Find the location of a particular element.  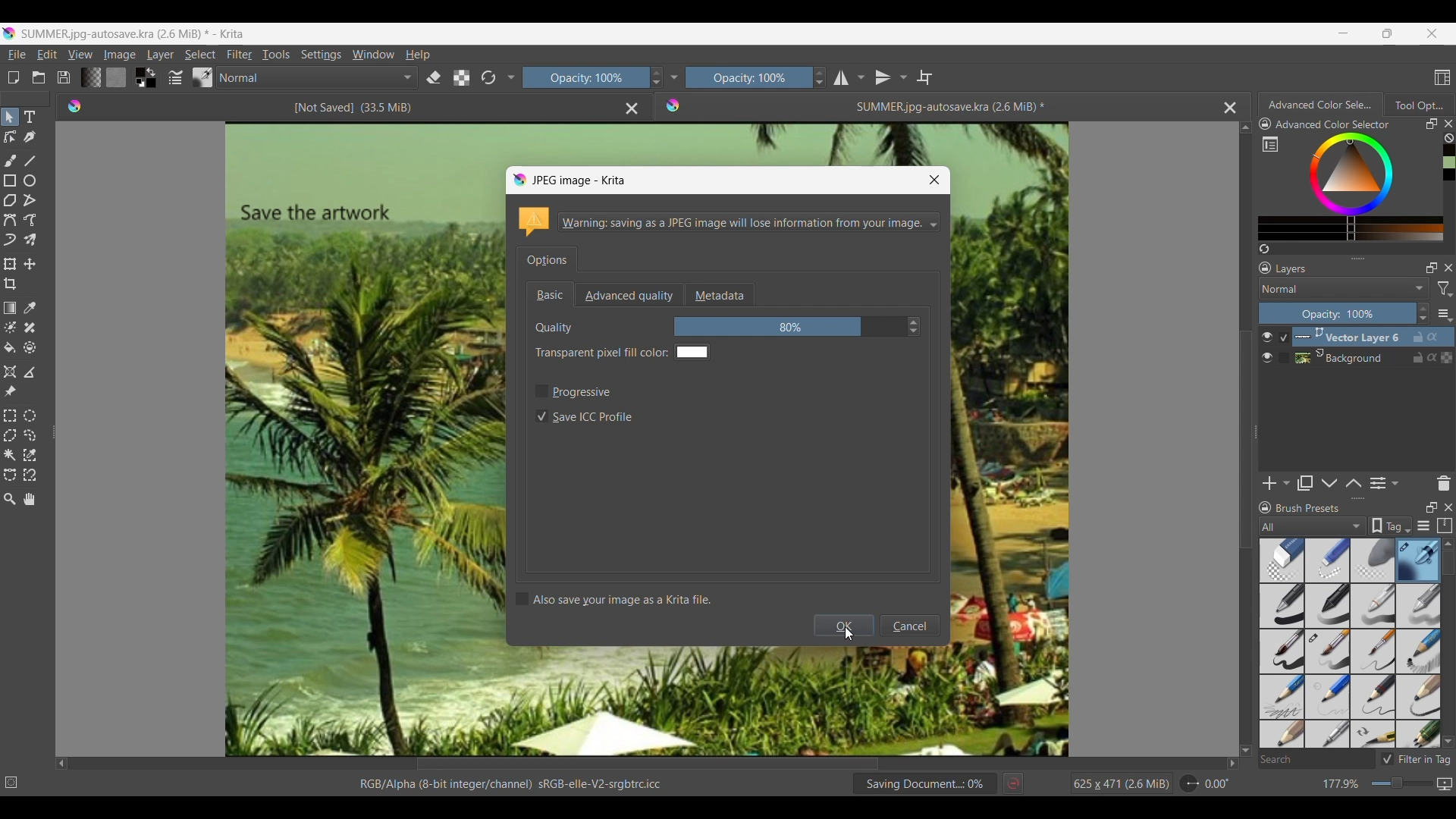

Current open file is located at coordinates (937, 107).